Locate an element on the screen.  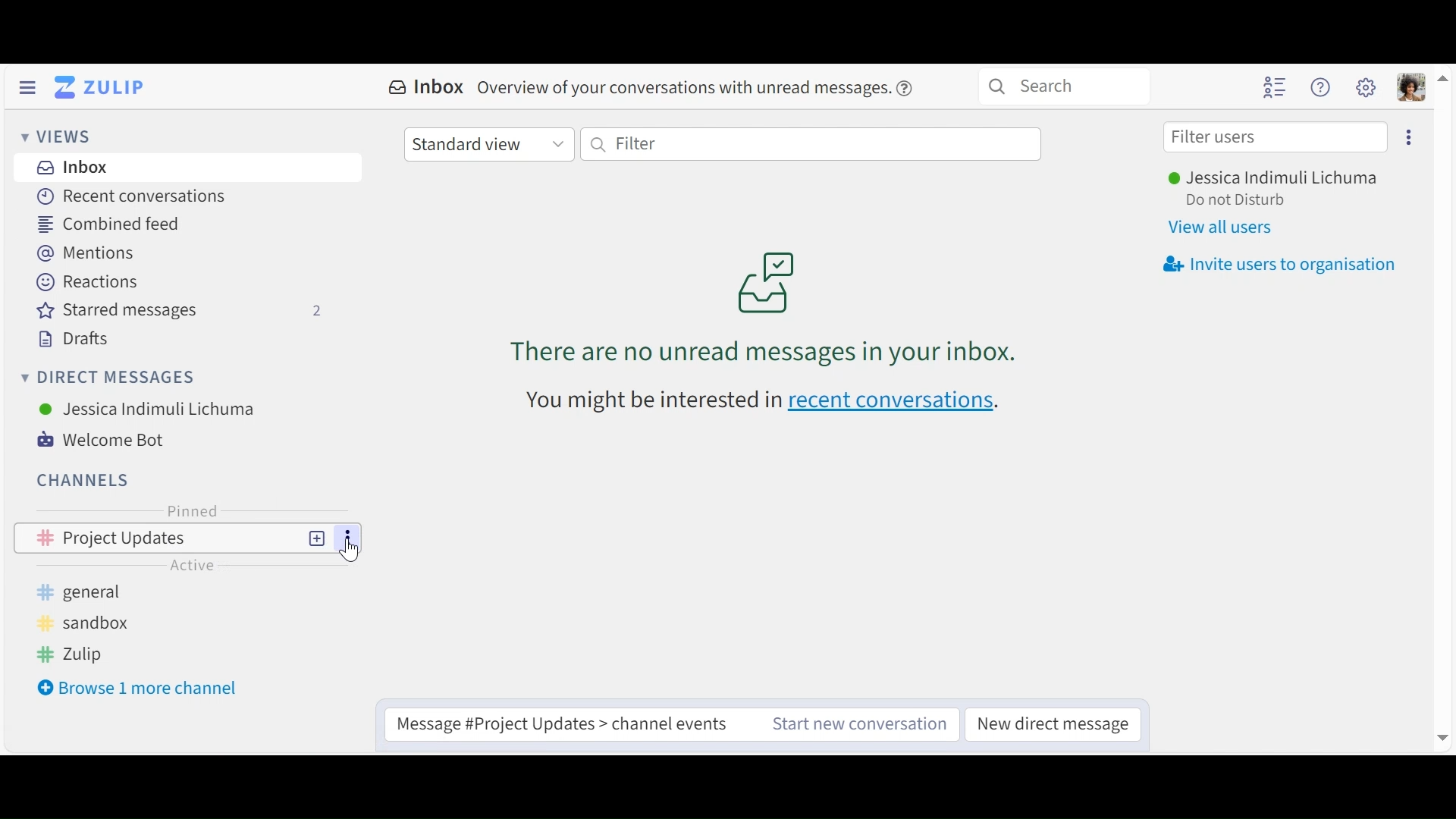
Reactions is located at coordinates (88, 281).